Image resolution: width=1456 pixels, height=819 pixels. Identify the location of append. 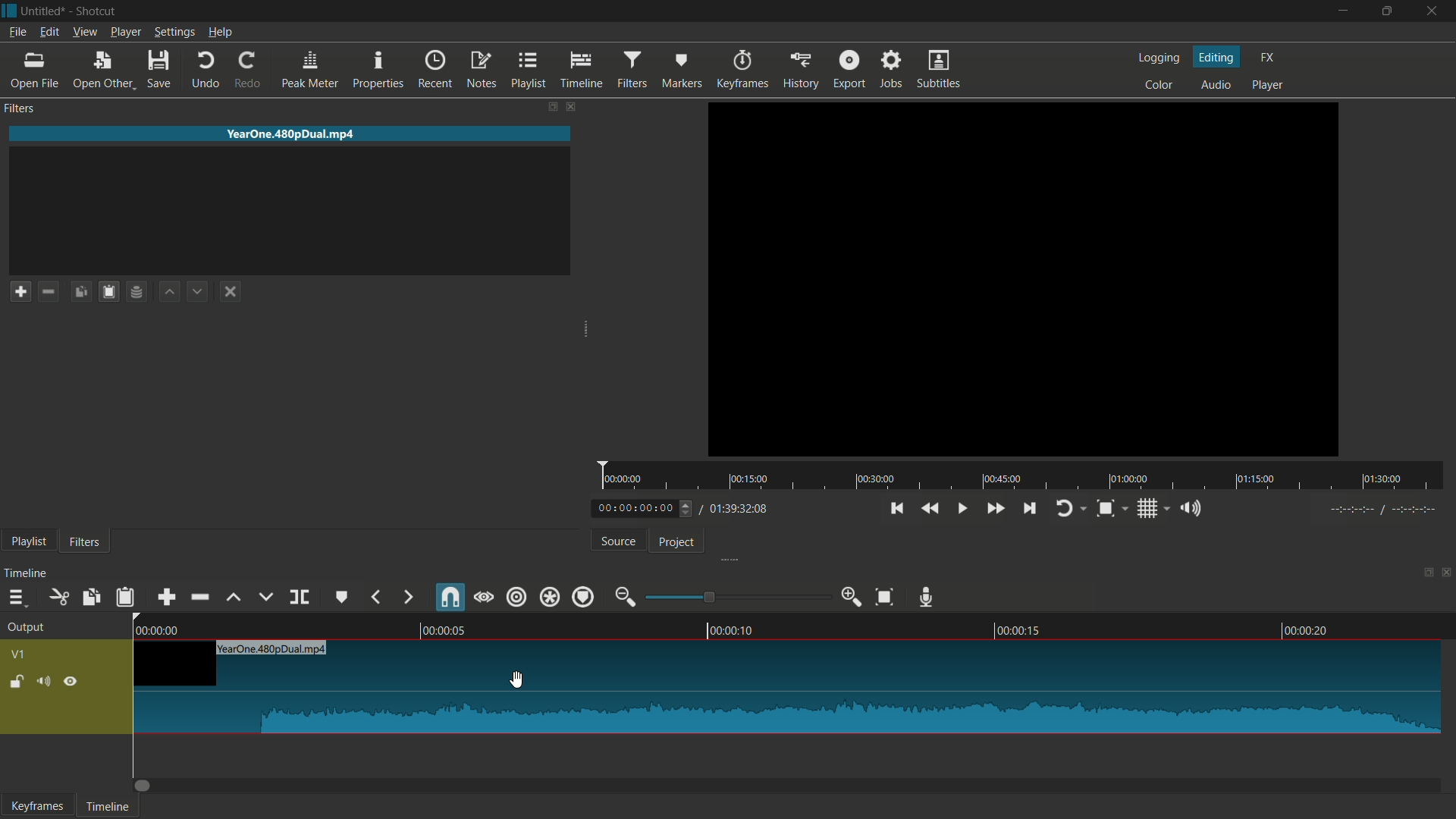
(166, 598).